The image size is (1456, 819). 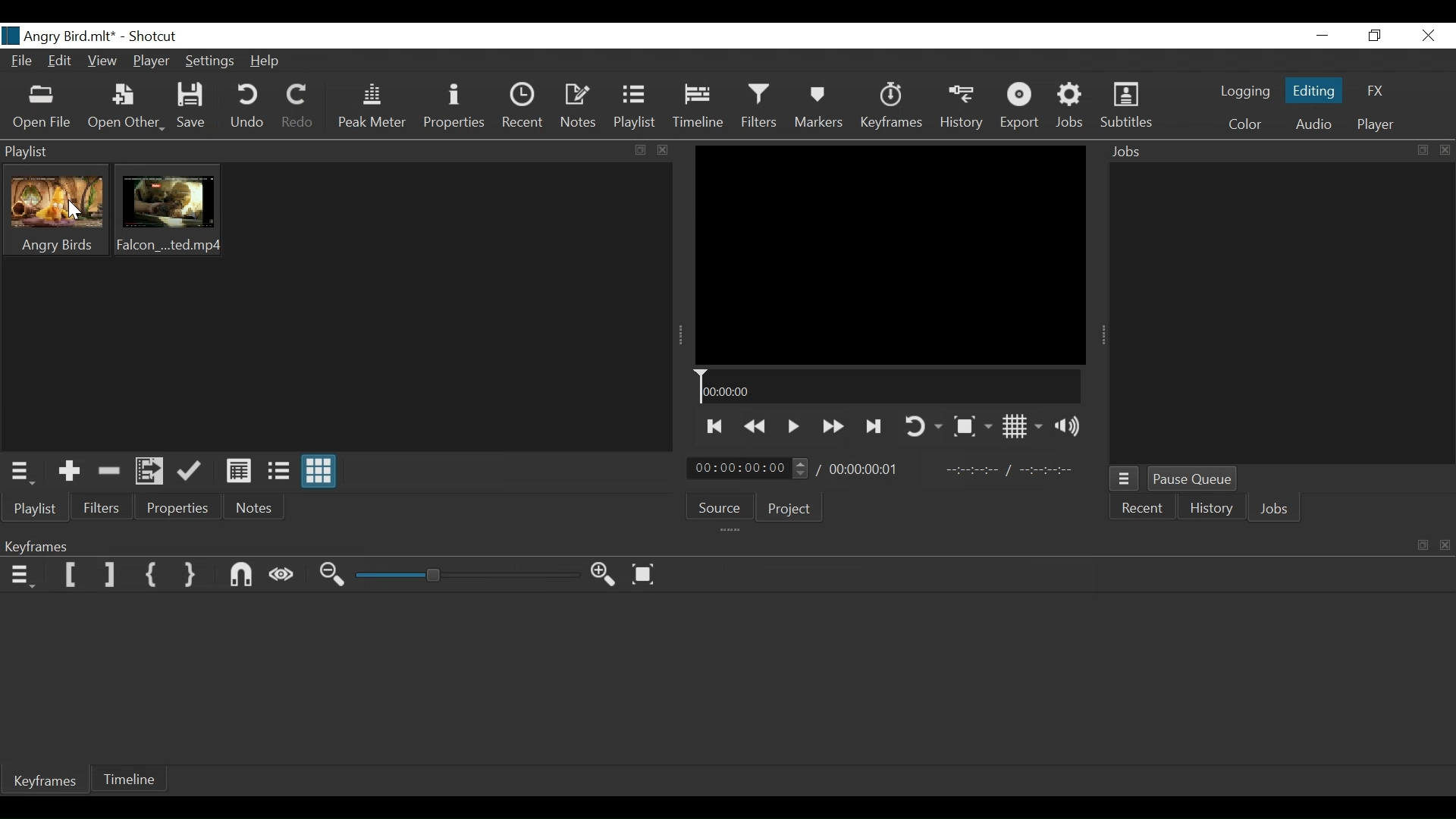 What do you see at coordinates (1127, 108) in the screenshot?
I see `Subtitles` at bounding box center [1127, 108].